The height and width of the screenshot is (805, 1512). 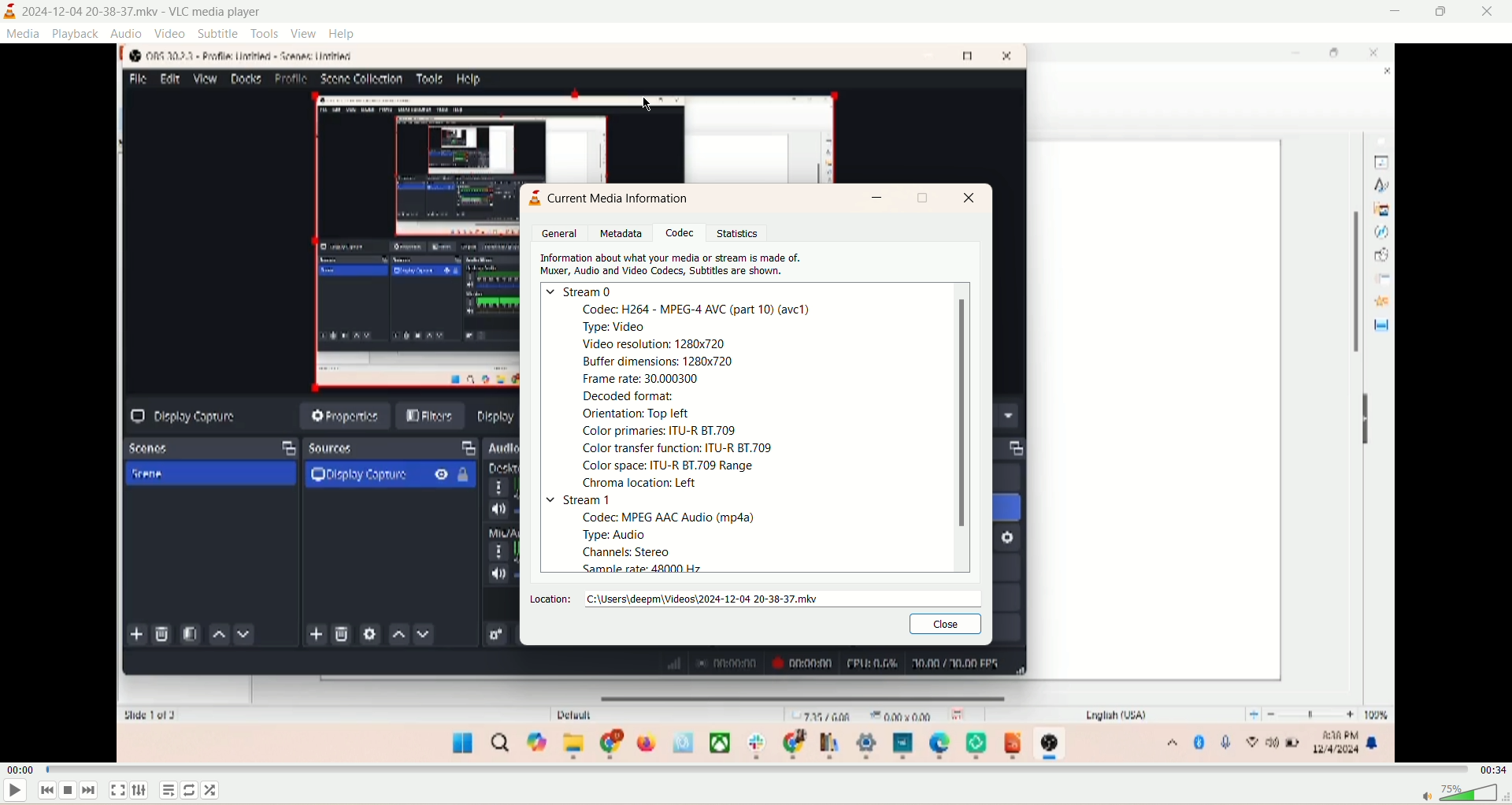 I want to click on previous, so click(x=46, y=794).